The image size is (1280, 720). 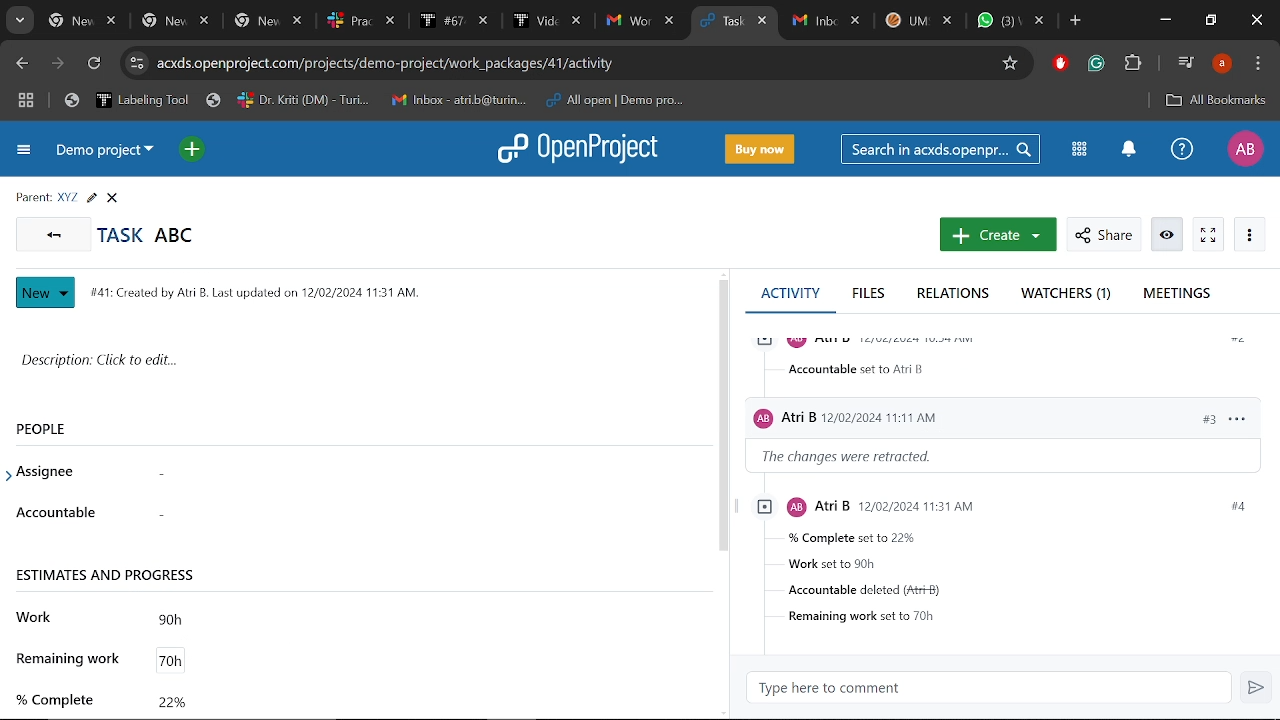 What do you see at coordinates (61, 65) in the screenshot?
I see `Next page` at bounding box center [61, 65].